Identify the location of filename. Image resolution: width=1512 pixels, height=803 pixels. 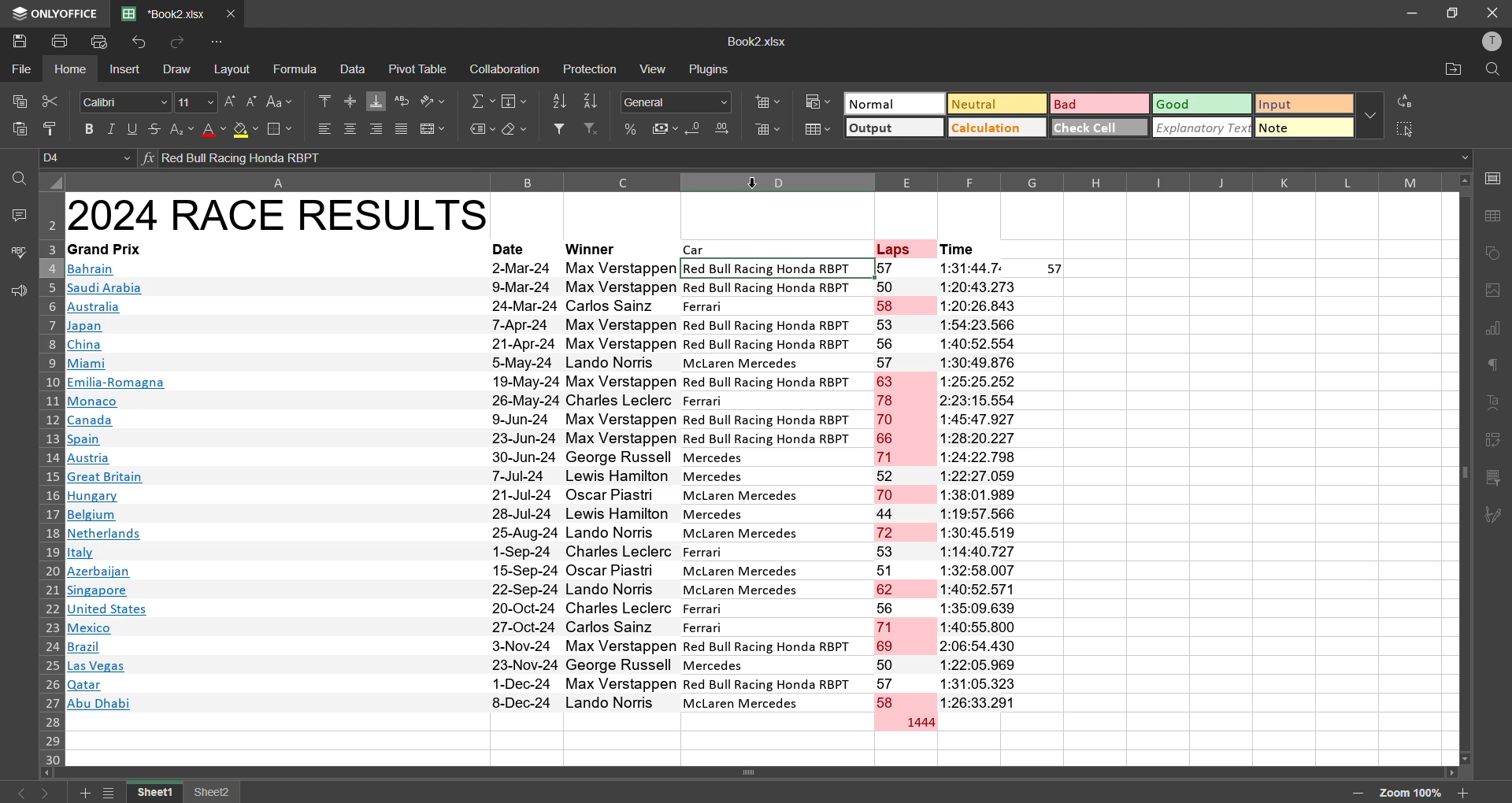
(756, 40).